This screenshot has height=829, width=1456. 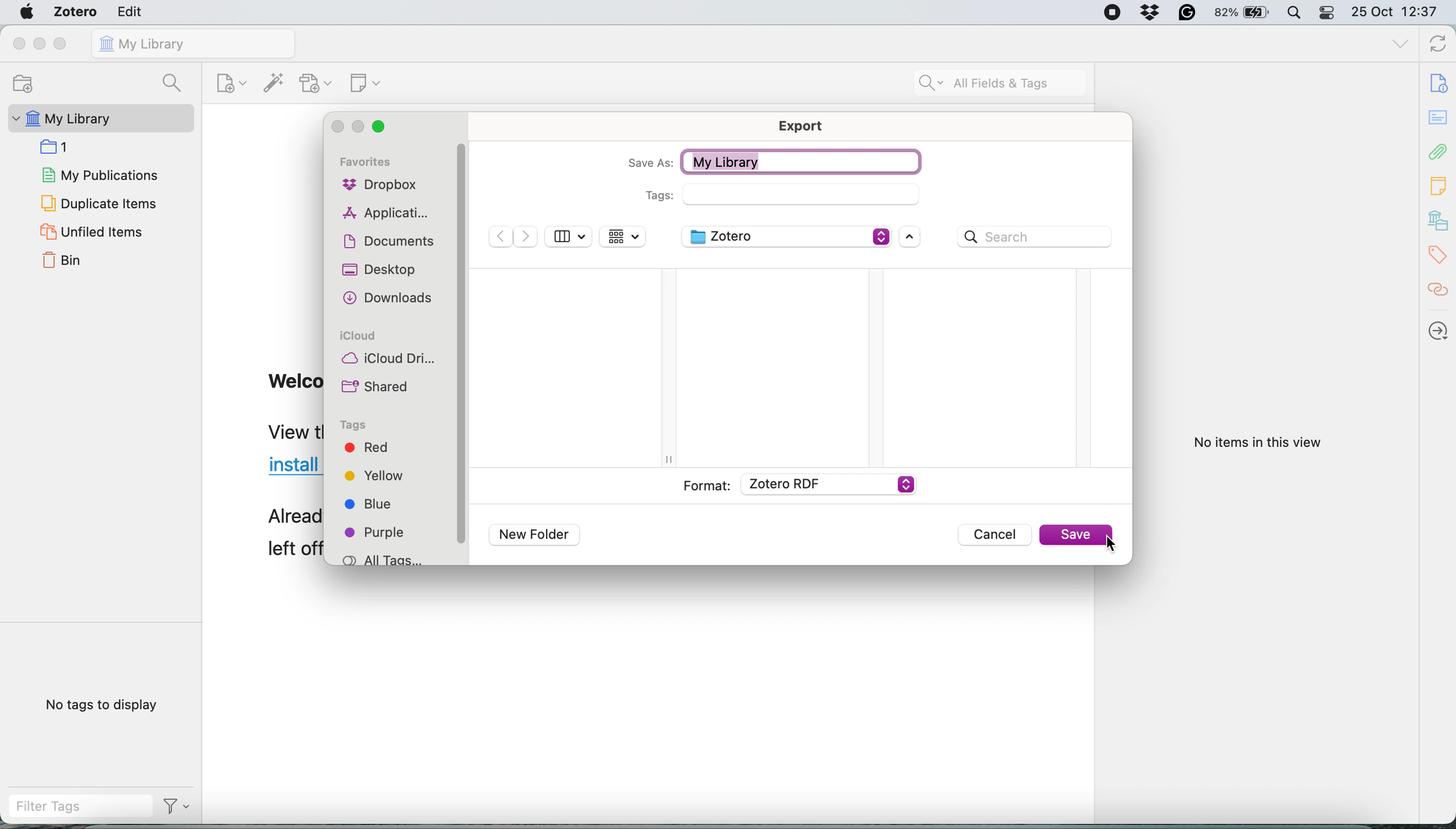 What do you see at coordinates (368, 161) in the screenshot?
I see `Favorites` at bounding box center [368, 161].